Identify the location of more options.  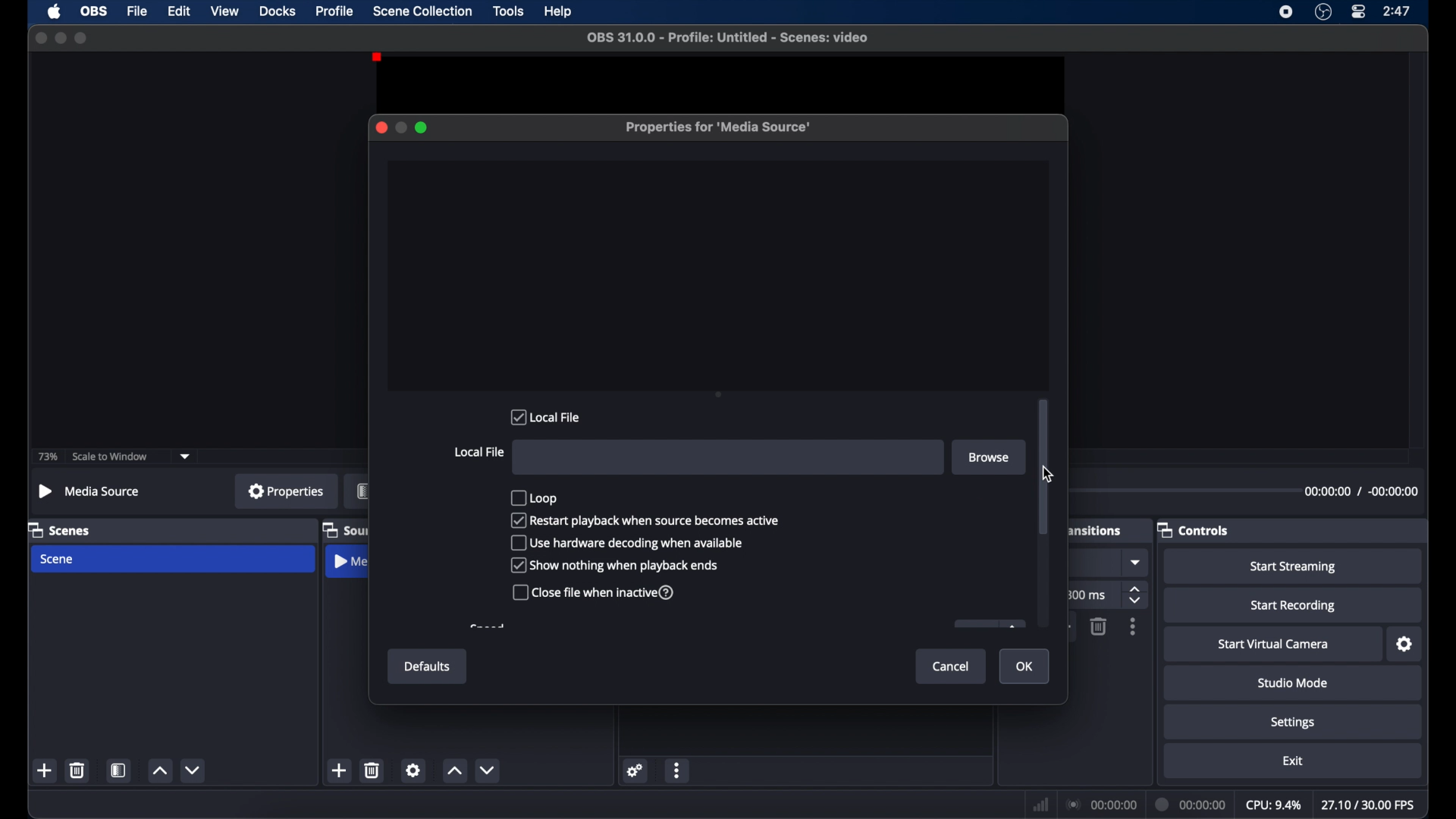
(678, 770).